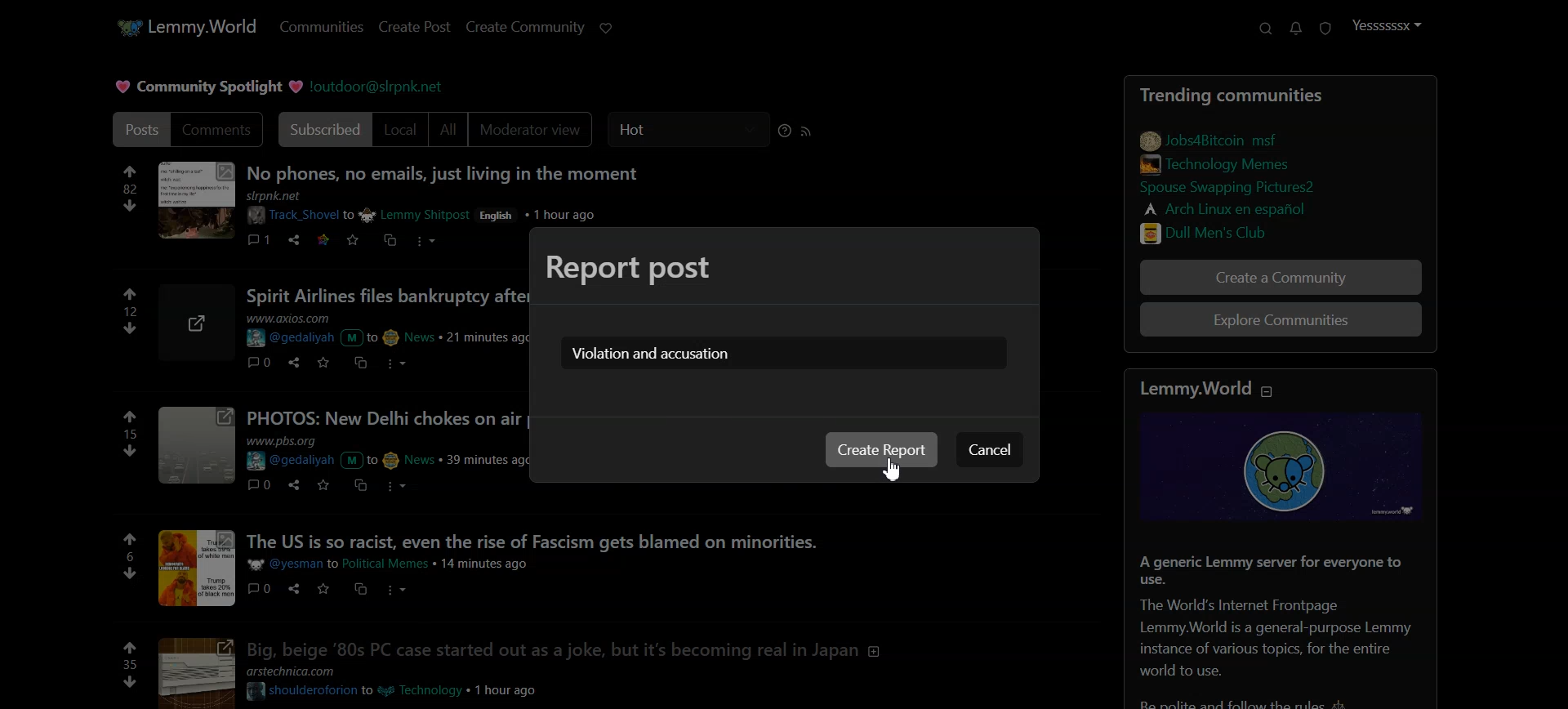 This screenshot has height=709, width=1568. Describe the element at coordinates (882, 449) in the screenshot. I see `Create ` at that location.